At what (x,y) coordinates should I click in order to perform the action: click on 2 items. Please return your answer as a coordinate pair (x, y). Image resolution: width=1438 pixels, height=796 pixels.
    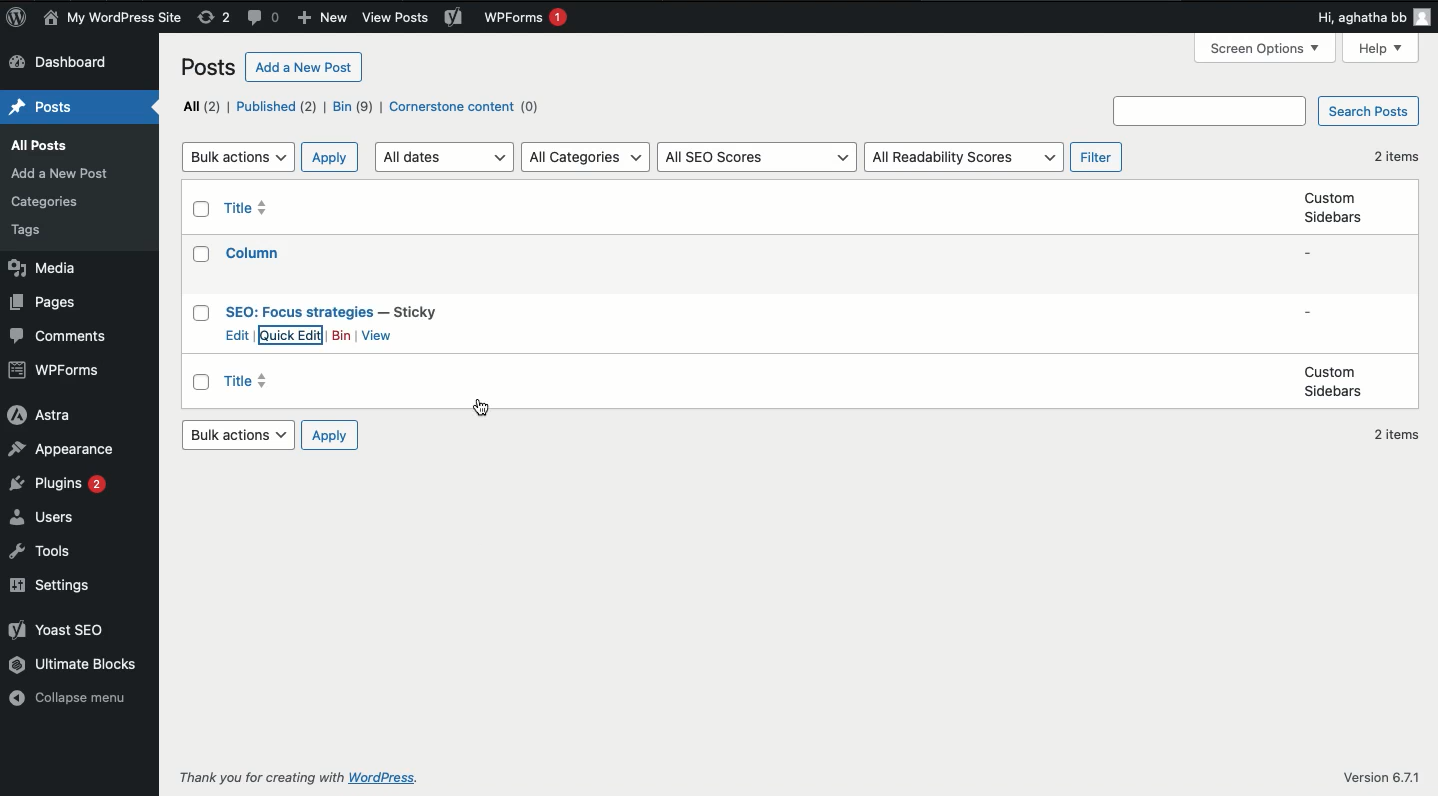
    Looking at the image, I should click on (1396, 436).